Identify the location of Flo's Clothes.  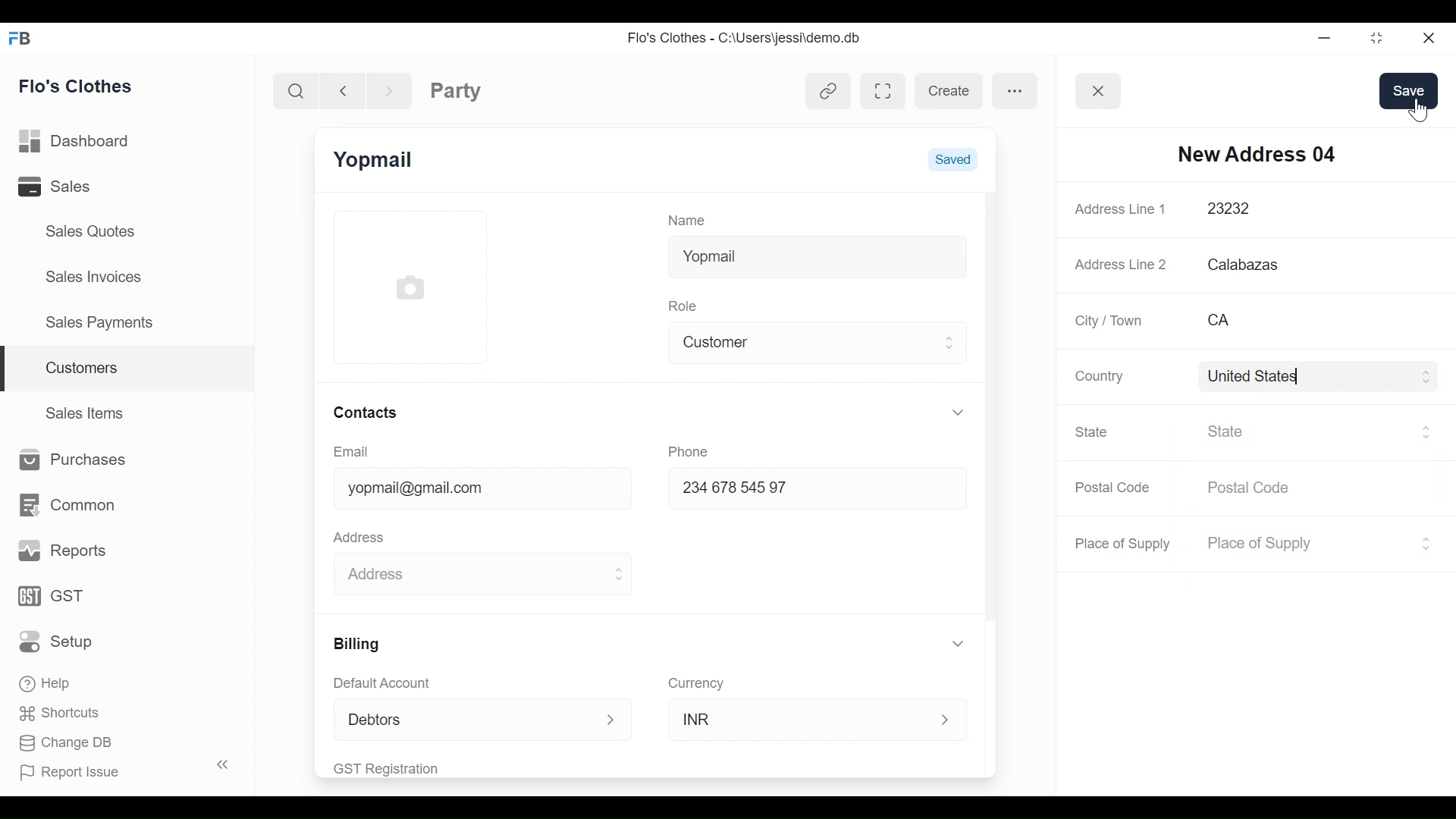
(78, 86).